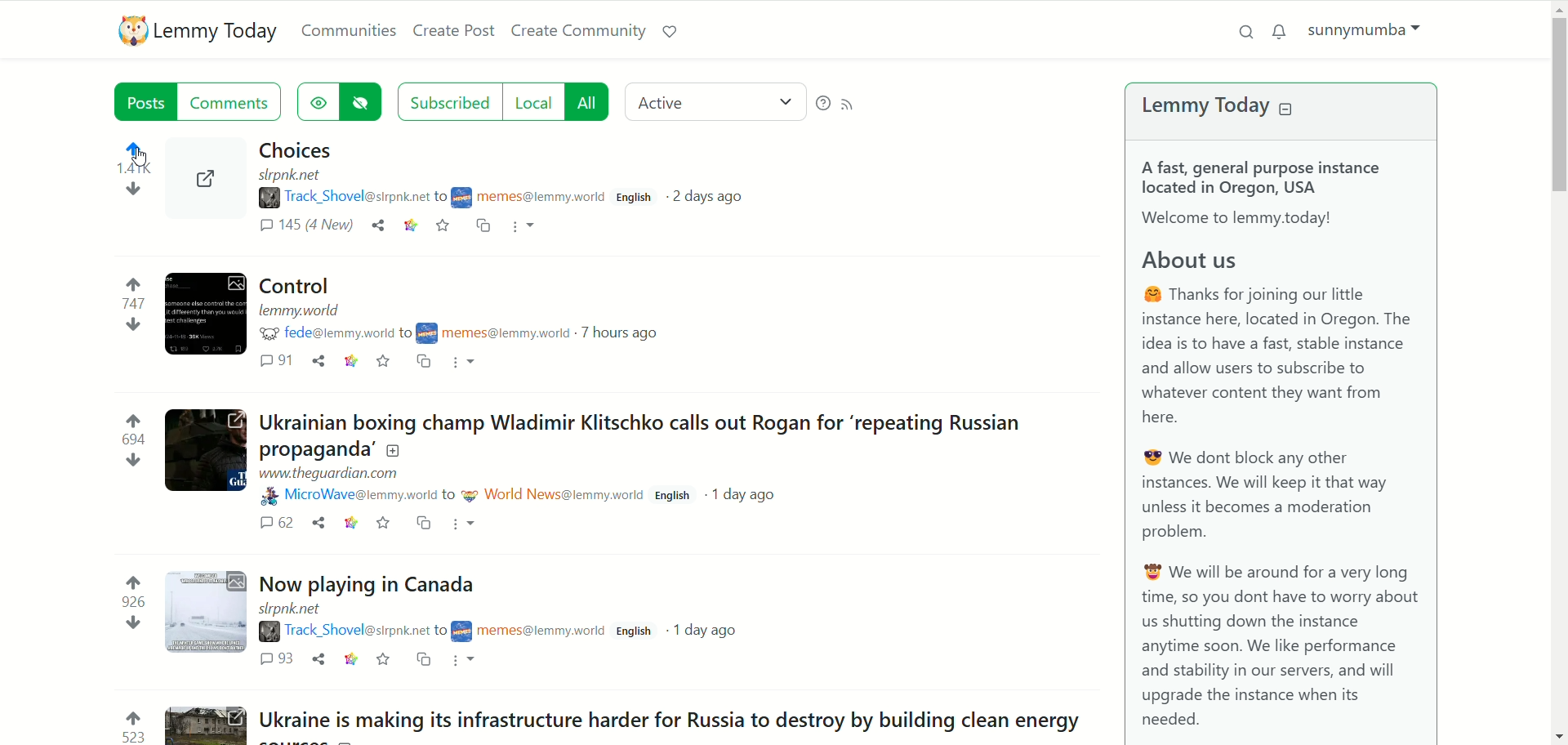  I want to click on ® We dont block any other instances. We will keep it that way unless it becomes a moderation problem., so click(1278, 497).